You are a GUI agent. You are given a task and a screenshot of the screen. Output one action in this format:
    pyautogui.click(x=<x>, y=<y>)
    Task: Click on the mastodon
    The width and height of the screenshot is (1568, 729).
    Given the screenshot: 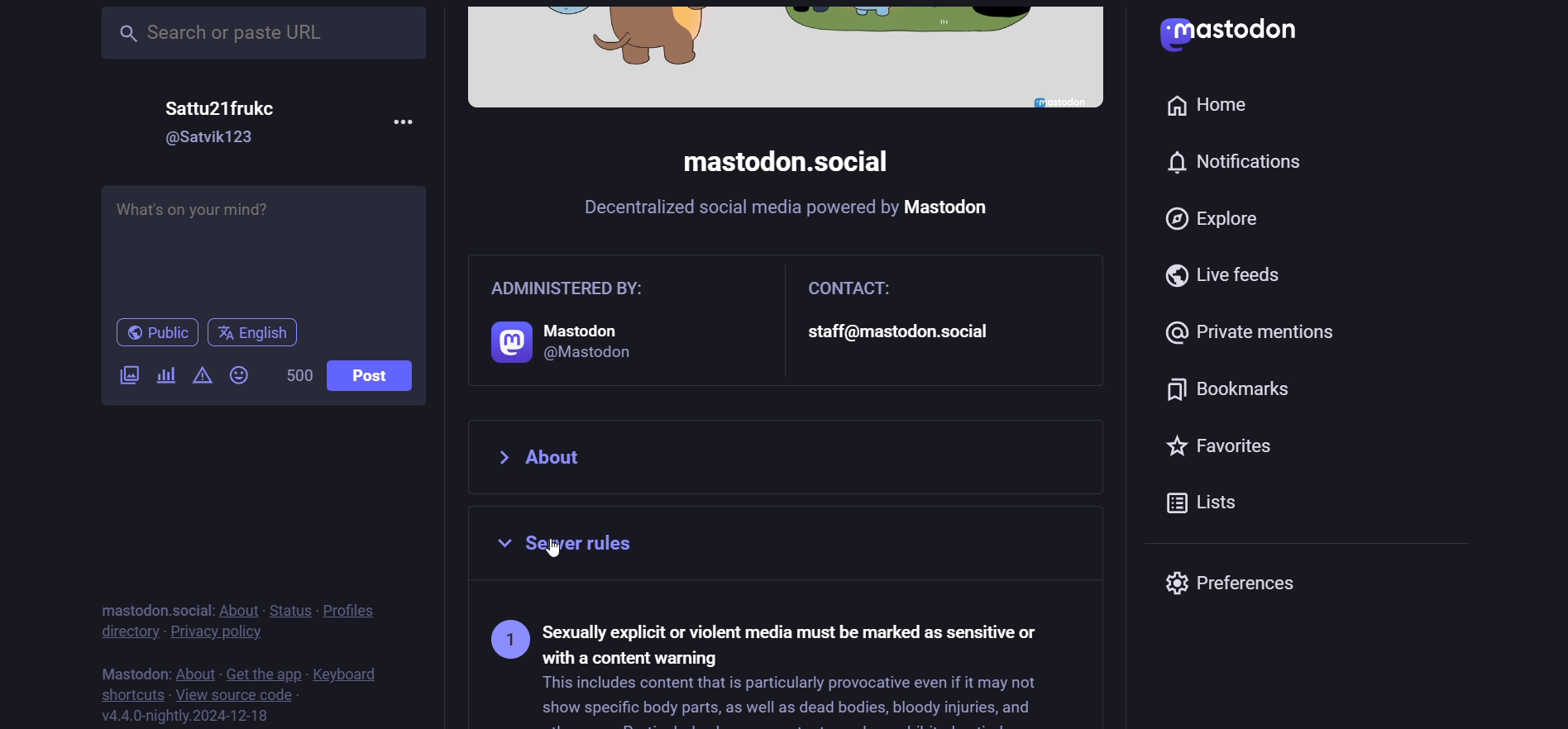 What is the action you would take?
    pyautogui.click(x=131, y=670)
    